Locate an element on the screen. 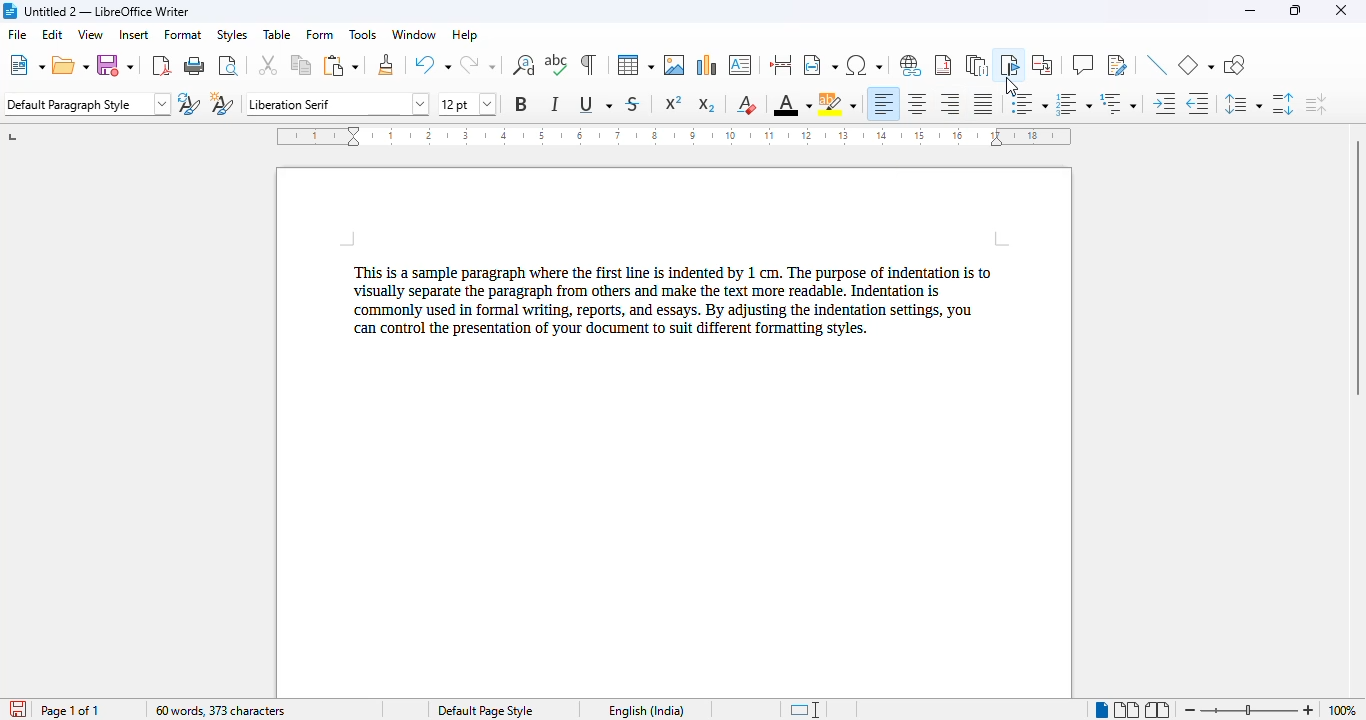 This screenshot has height=720, width=1366. text language is located at coordinates (645, 710).